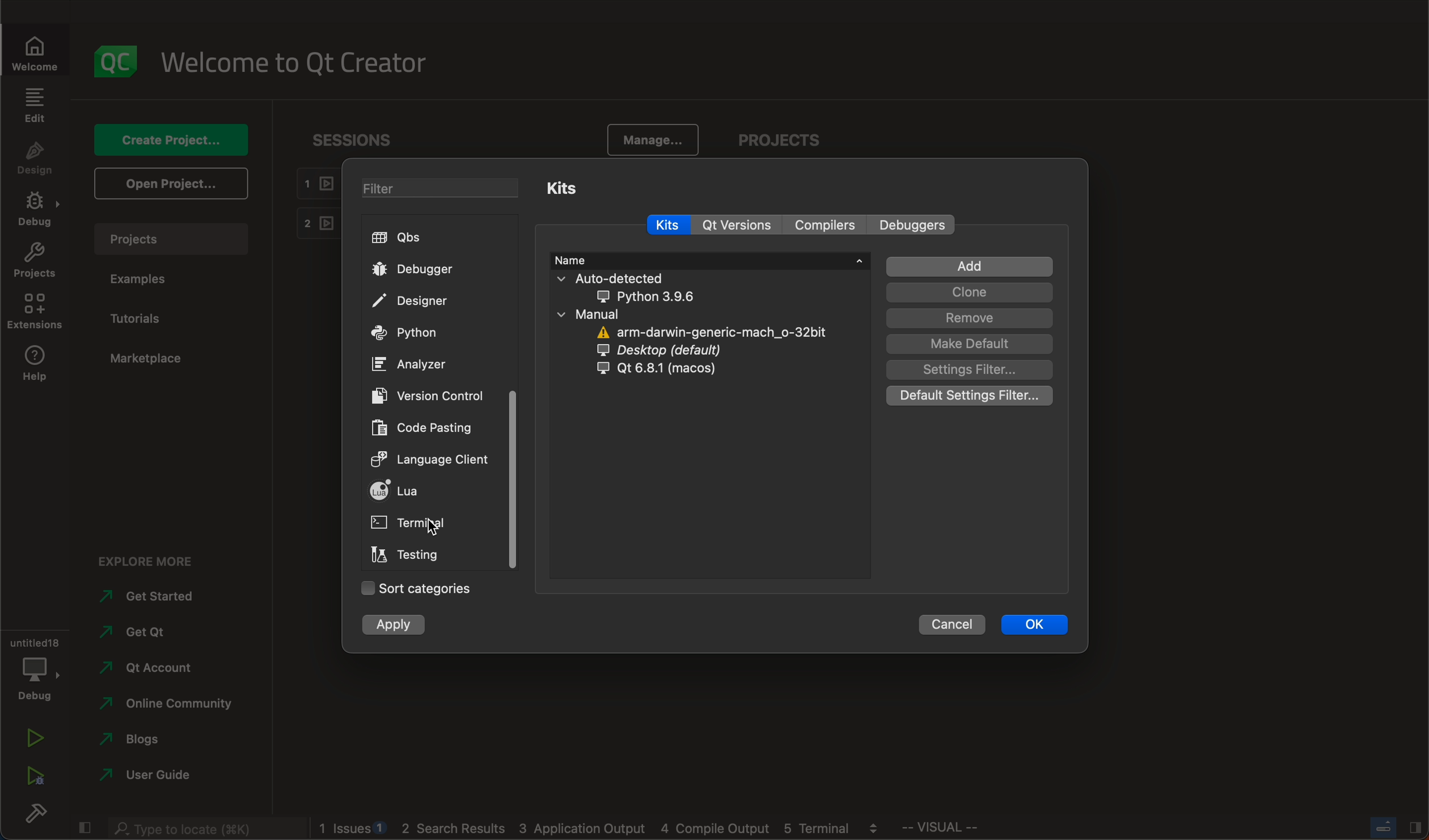  What do you see at coordinates (34, 211) in the screenshot?
I see `debug` at bounding box center [34, 211].